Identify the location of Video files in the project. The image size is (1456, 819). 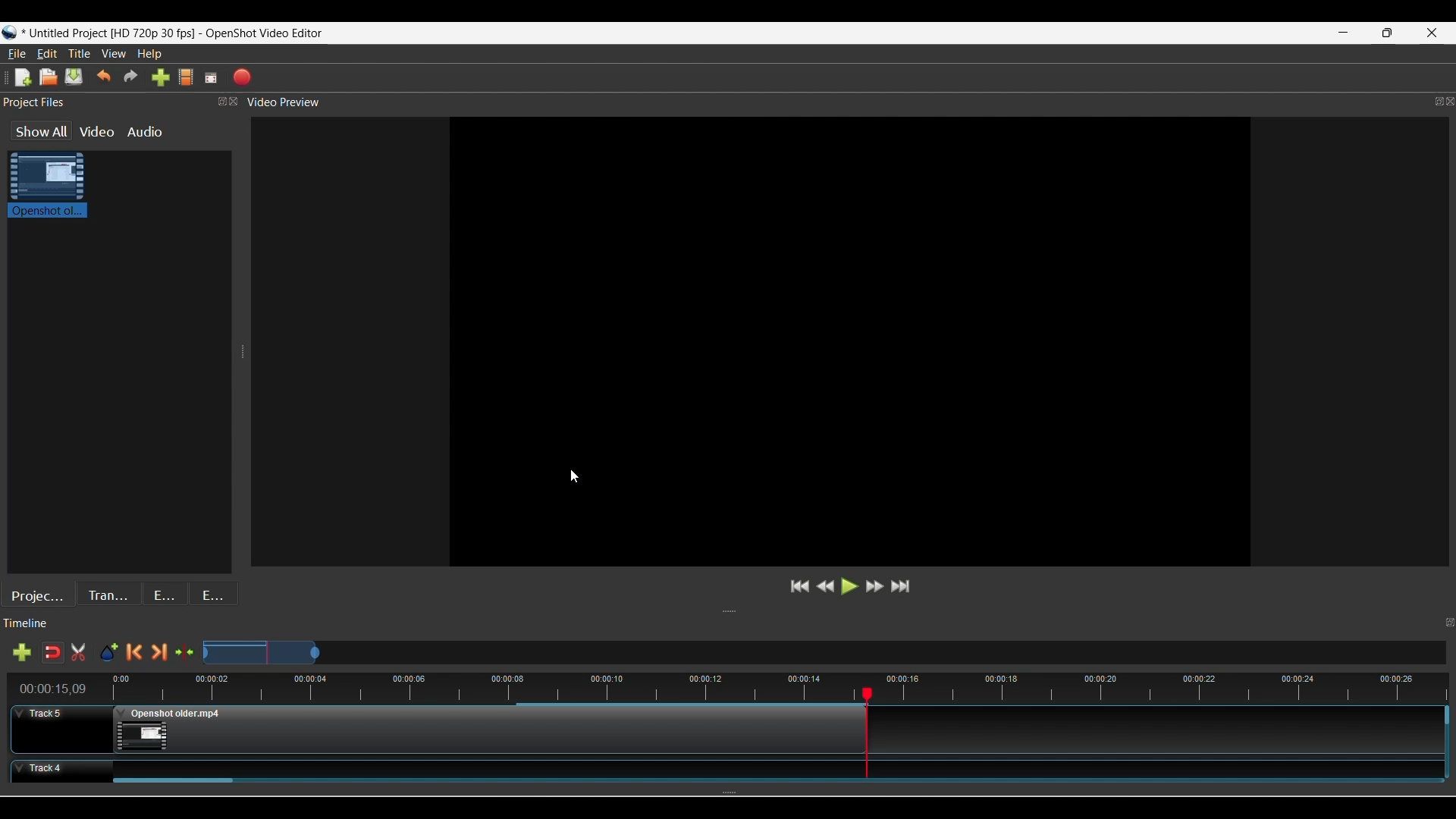
(97, 131).